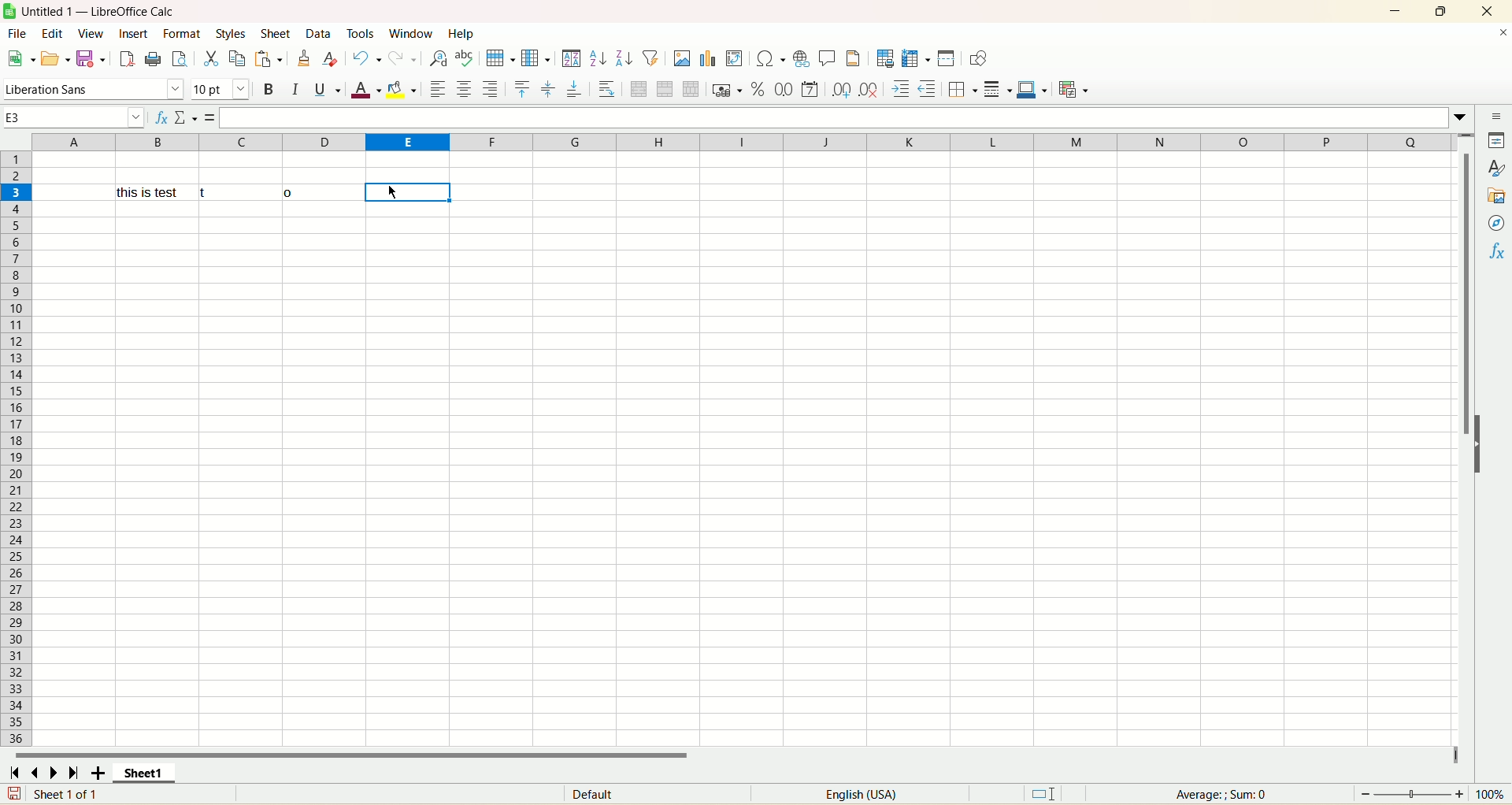  I want to click on sort descending, so click(623, 60).